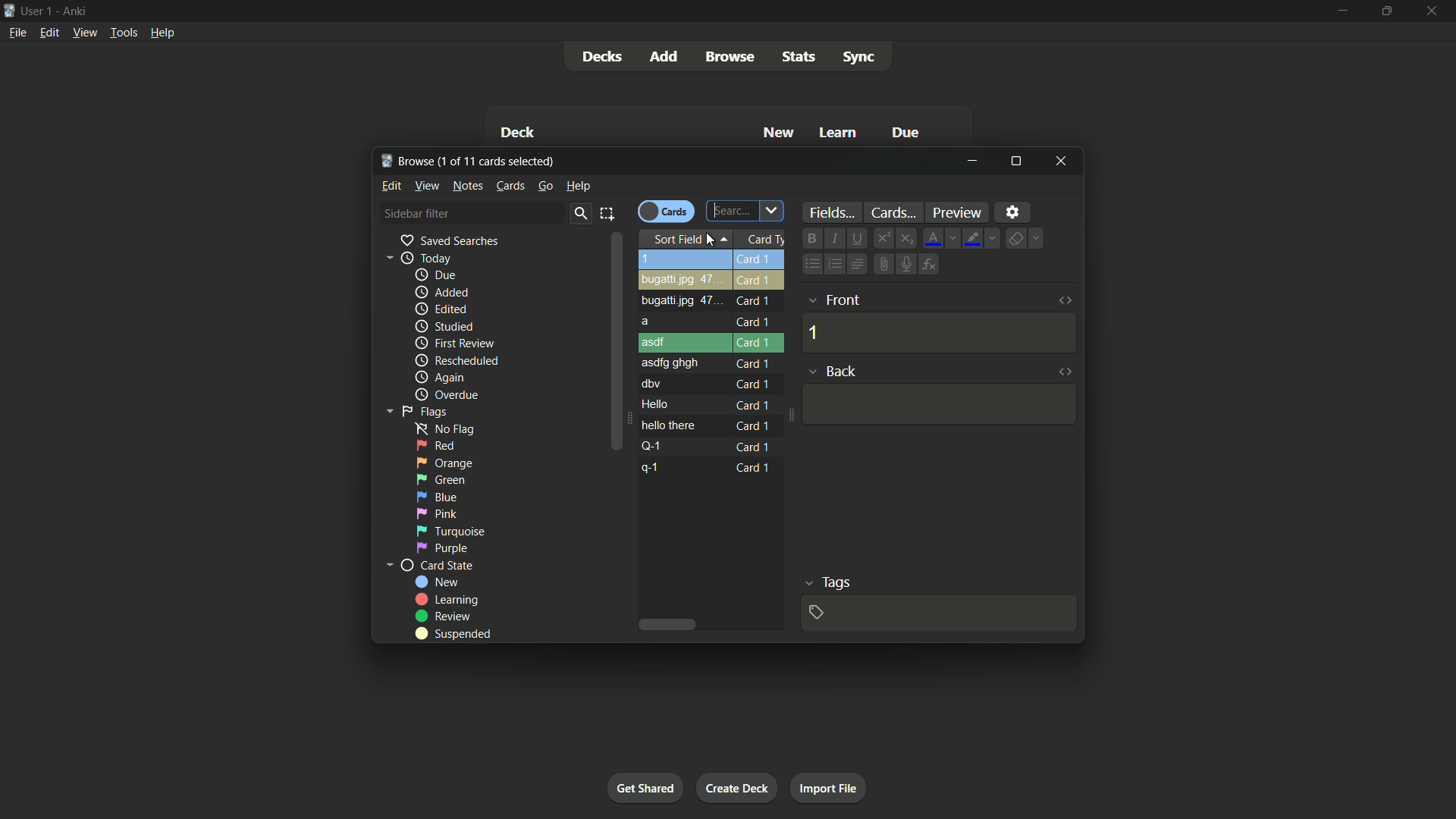  I want to click on scroll bar, so click(613, 343).